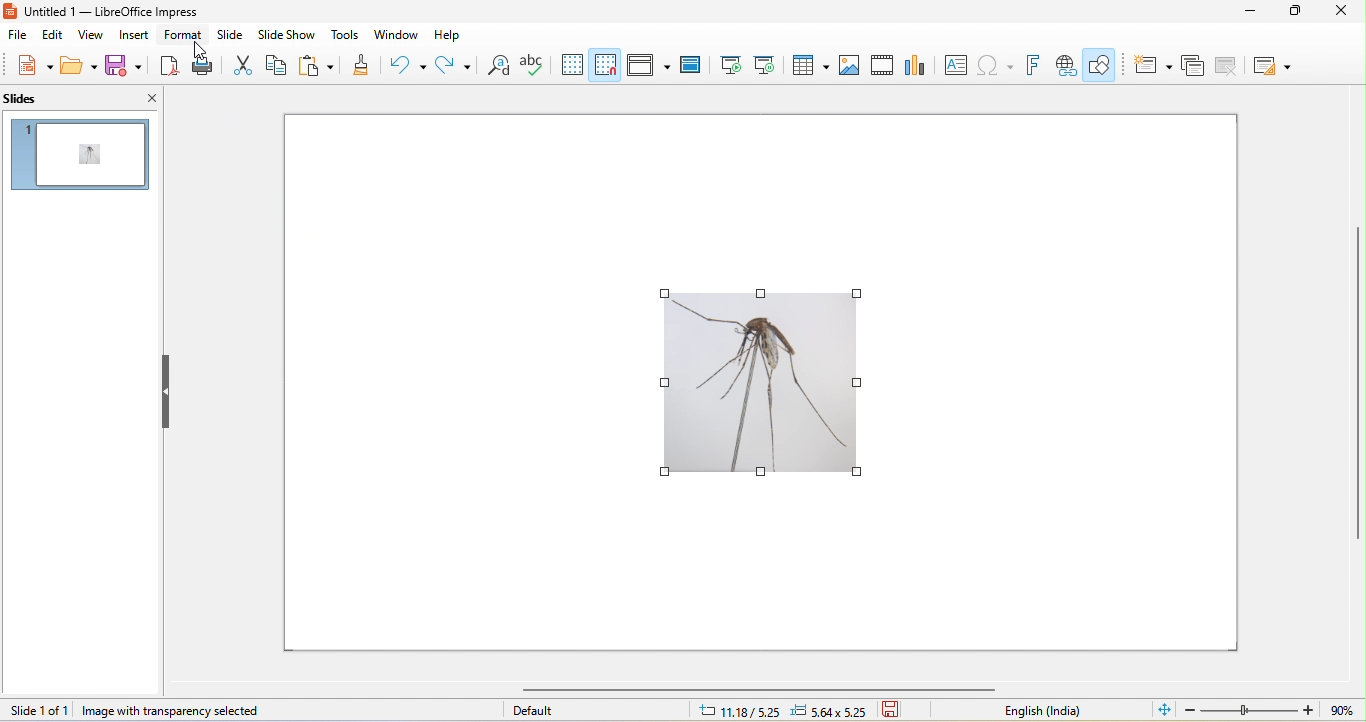 This screenshot has width=1366, height=722. Describe the element at coordinates (394, 35) in the screenshot. I see `window` at that location.